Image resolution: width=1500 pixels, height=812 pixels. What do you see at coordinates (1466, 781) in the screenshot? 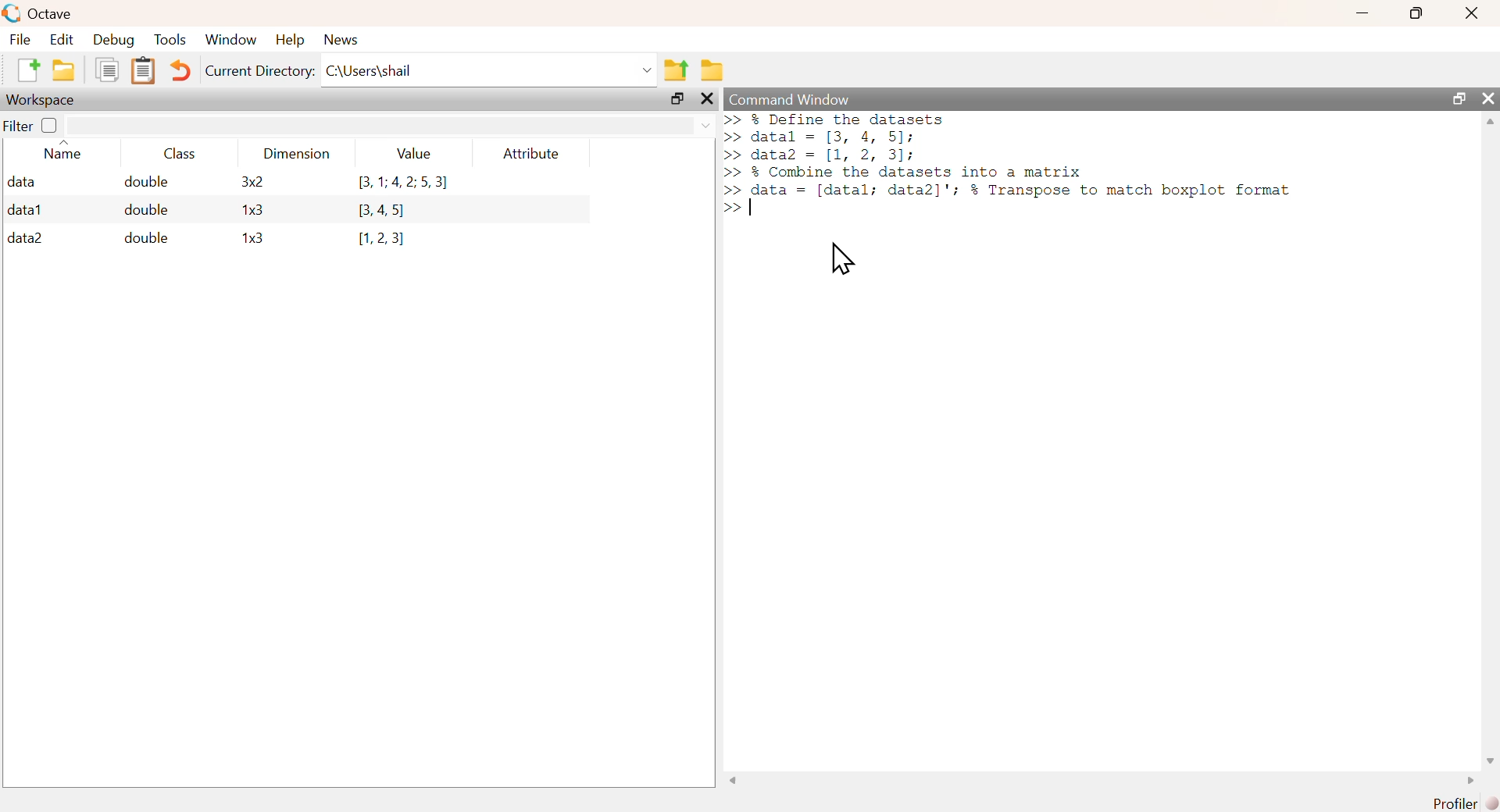
I see `scroll right` at bounding box center [1466, 781].